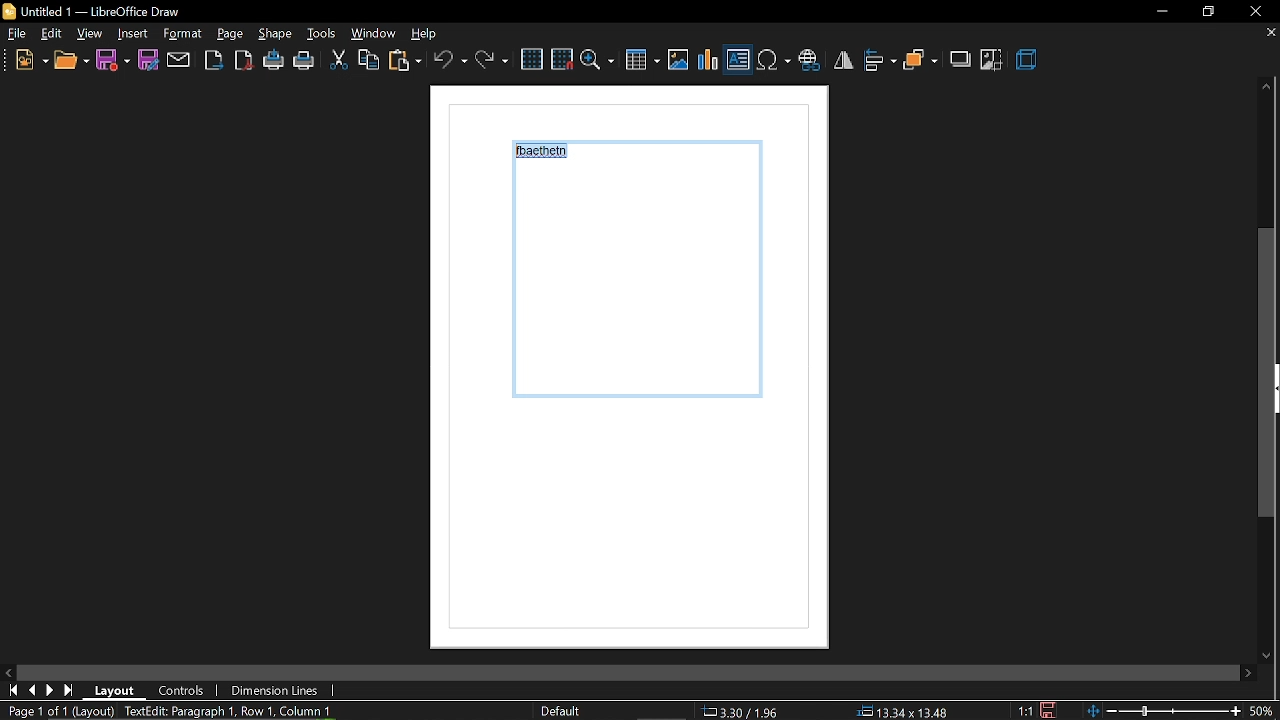  What do you see at coordinates (322, 33) in the screenshot?
I see `tools` at bounding box center [322, 33].